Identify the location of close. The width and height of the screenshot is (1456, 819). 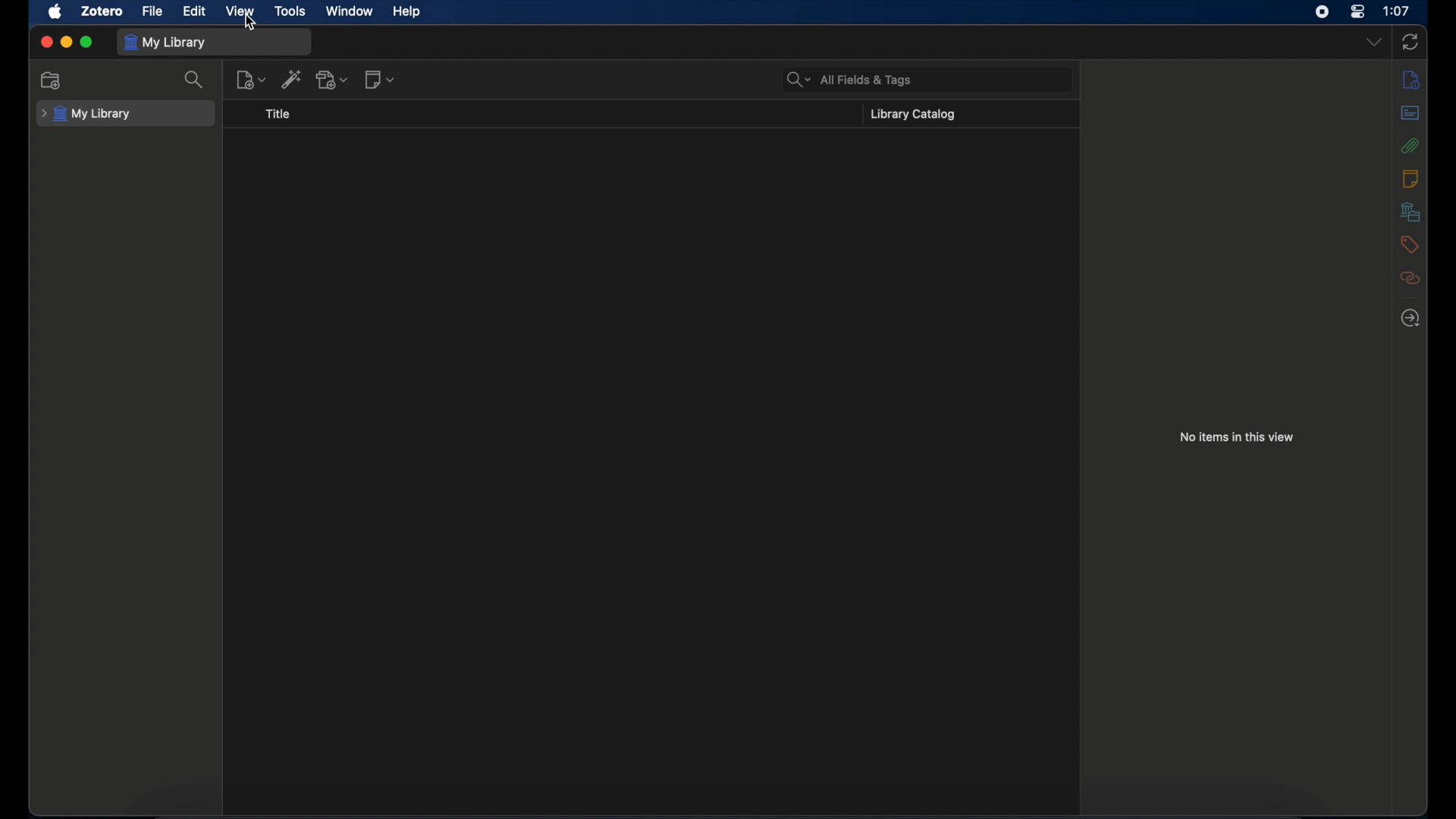
(46, 42).